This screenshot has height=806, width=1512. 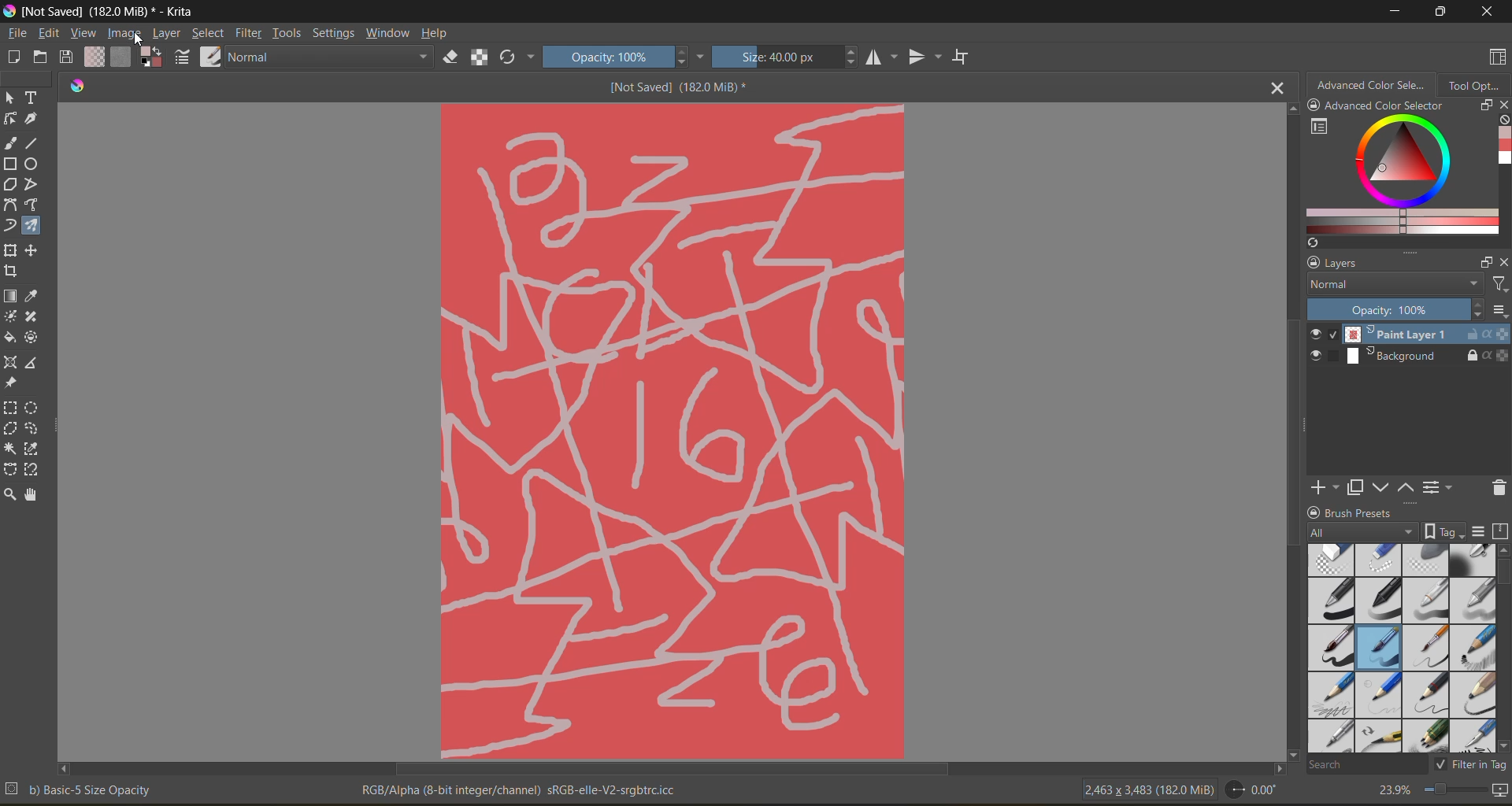 What do you see at coordinates (1351, 263) in the screenshot?
I see `Layers` at bounding box center [1351, 263].